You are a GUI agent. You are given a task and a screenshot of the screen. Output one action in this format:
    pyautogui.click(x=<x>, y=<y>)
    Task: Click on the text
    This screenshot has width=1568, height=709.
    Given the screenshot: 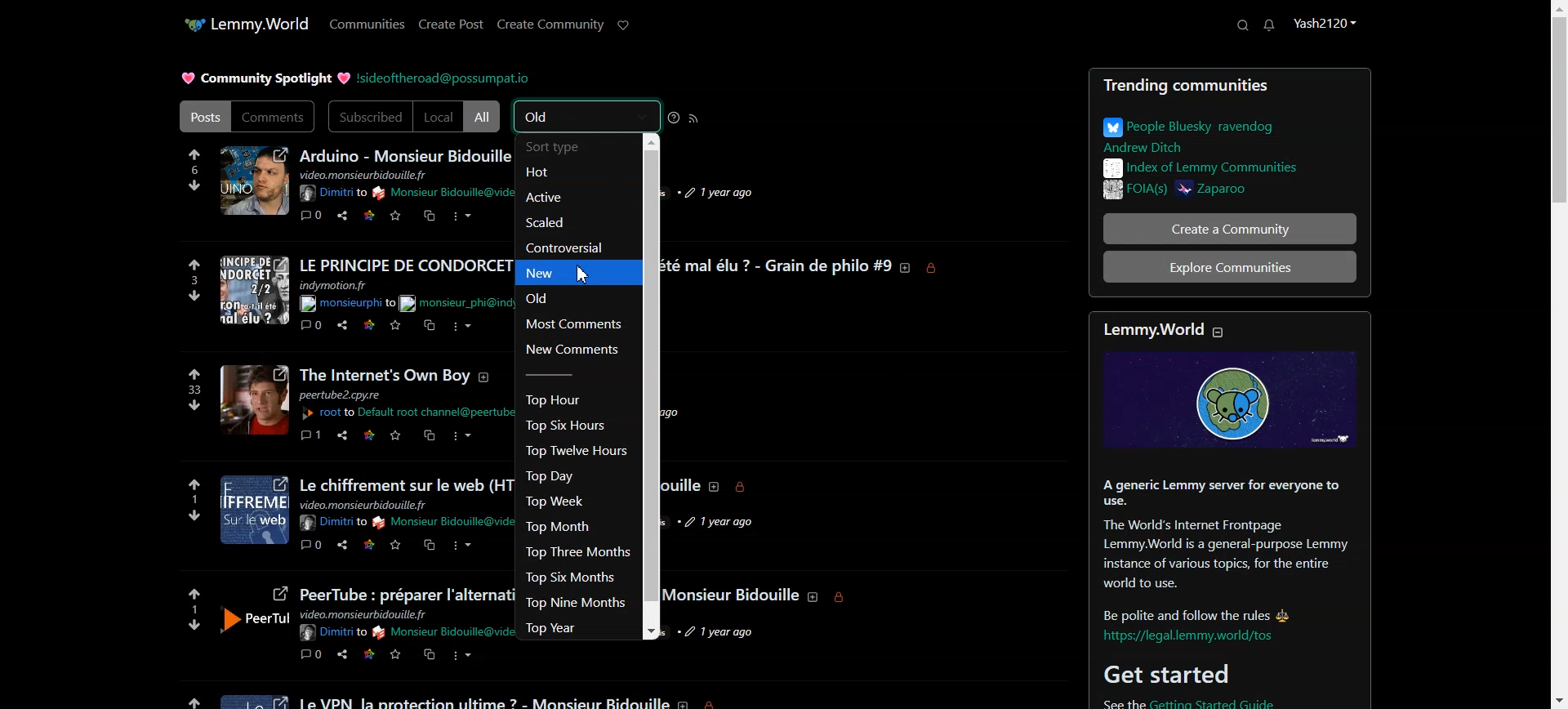 What is the action you would take?
    pyautogui.click(x=443, y=521)
    